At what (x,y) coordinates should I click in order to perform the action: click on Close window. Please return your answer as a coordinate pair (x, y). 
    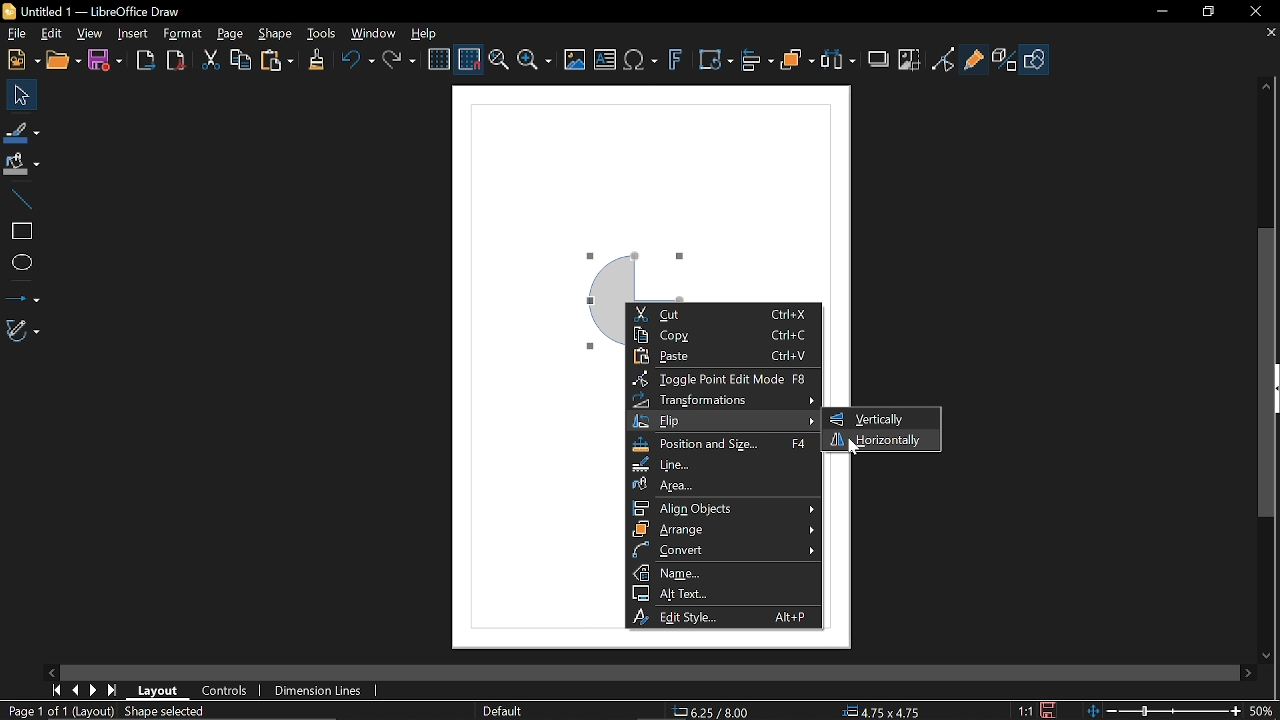
    Looking at the image, I should click on (1258, 12).